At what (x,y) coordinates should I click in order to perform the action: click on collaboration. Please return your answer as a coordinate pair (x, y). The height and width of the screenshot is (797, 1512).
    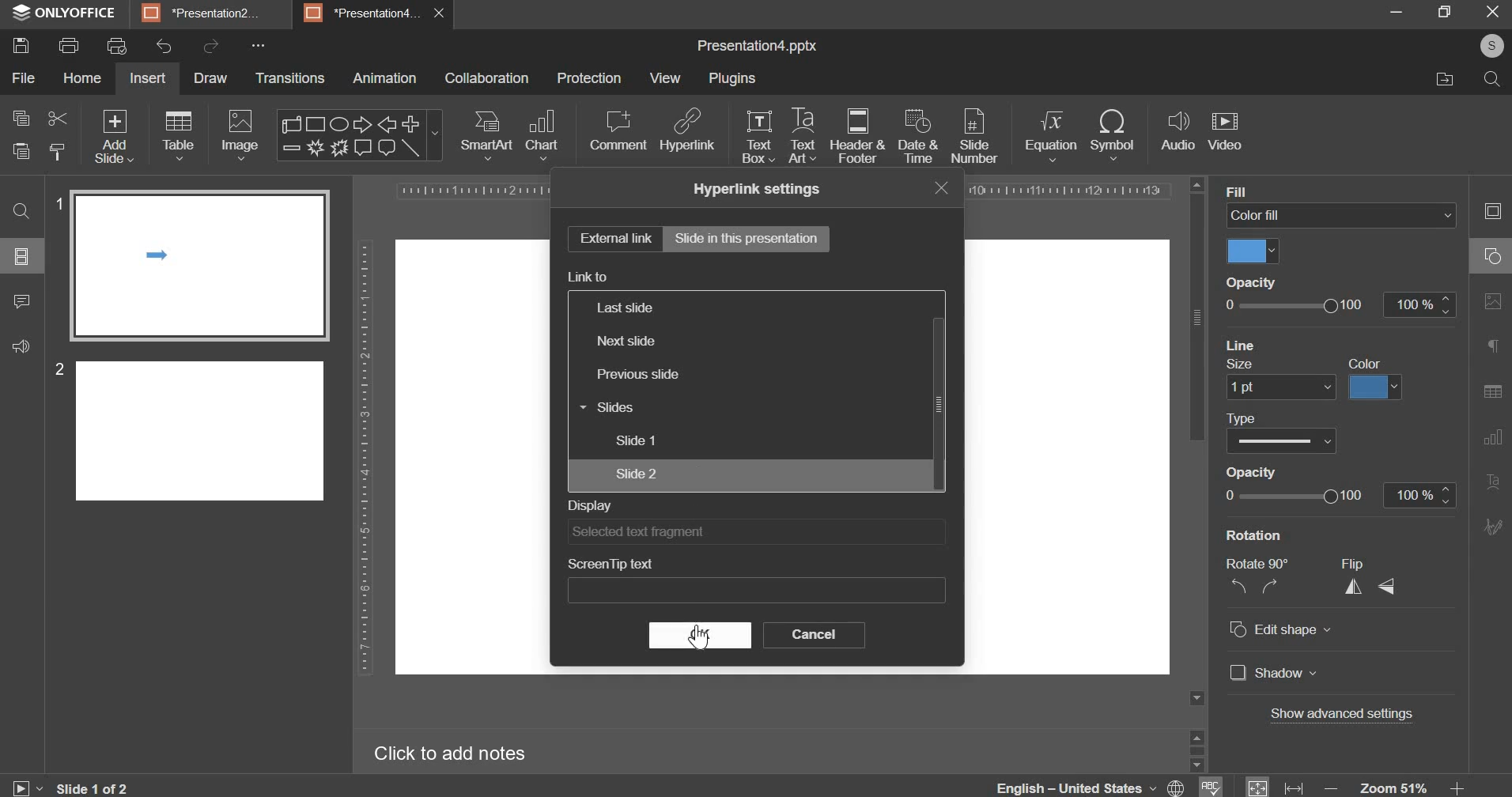
    Looking at the image, I should click on (489, 78).